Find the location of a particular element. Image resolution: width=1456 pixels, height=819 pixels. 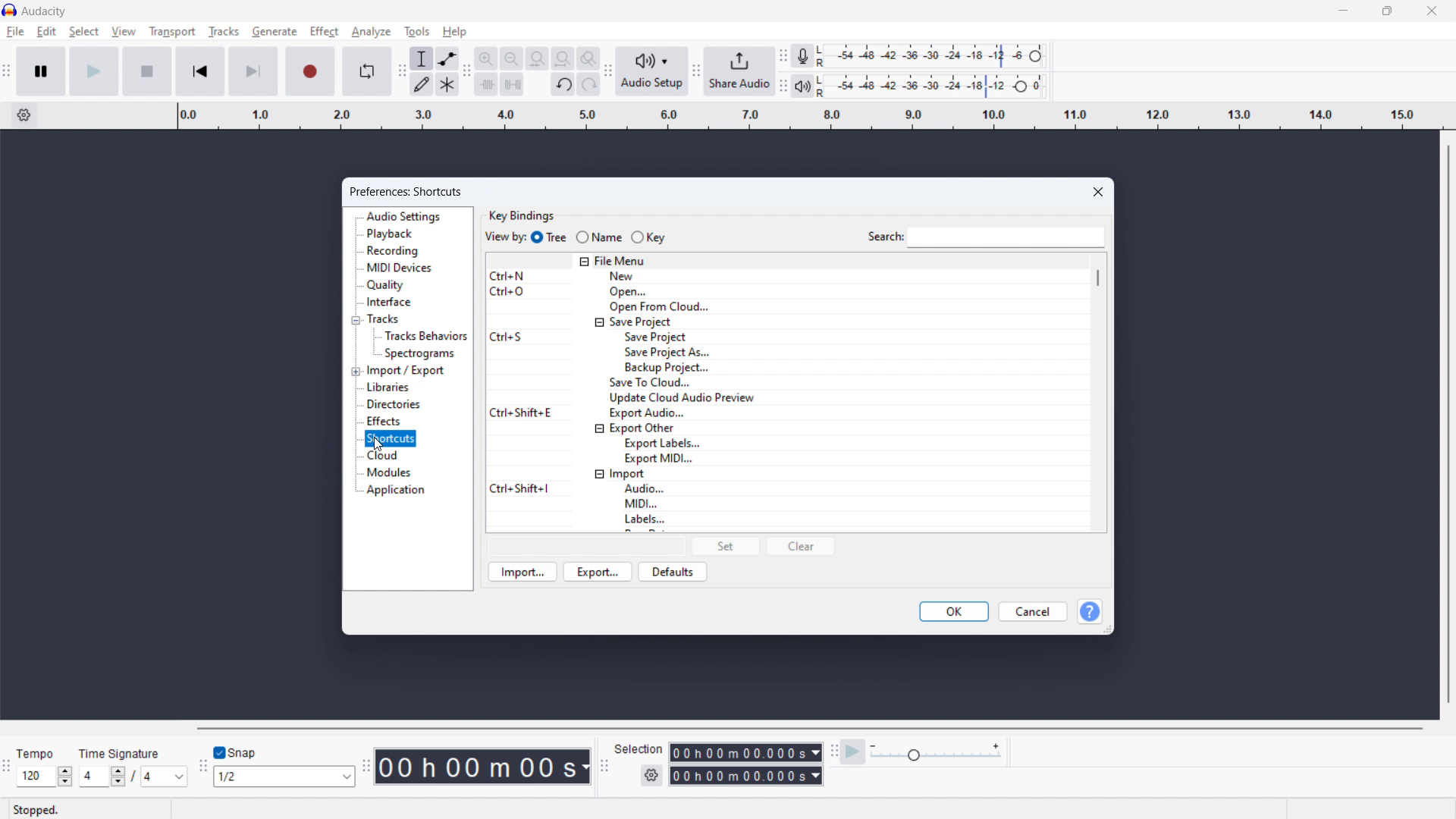

expand is located at coordinates (356, 372).